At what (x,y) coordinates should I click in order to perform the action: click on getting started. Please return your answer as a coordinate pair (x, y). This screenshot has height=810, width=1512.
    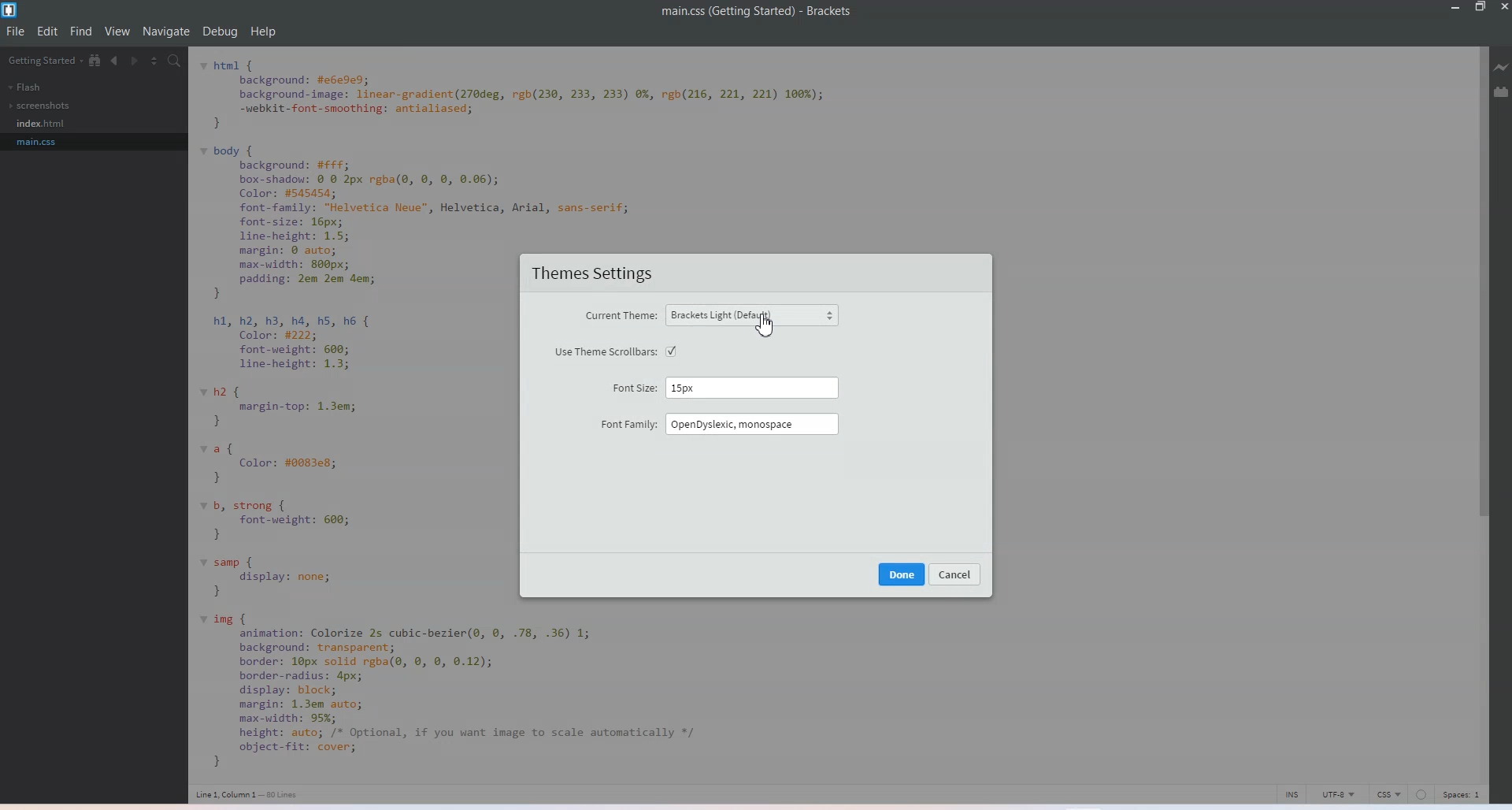
    Looking at the image, I should click on (43, 61).